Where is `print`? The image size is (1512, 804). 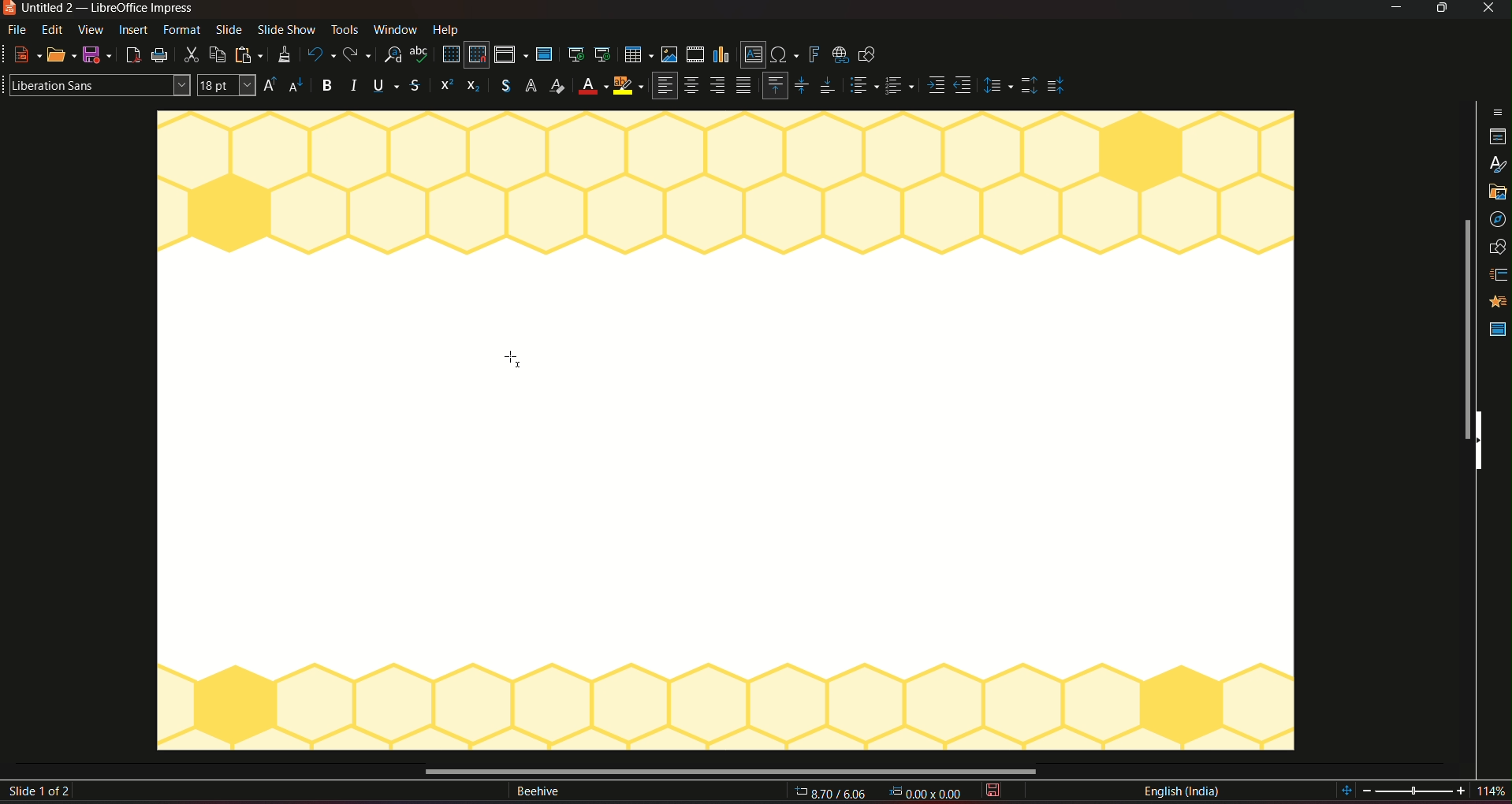
print is located at coordinates (162, 56).